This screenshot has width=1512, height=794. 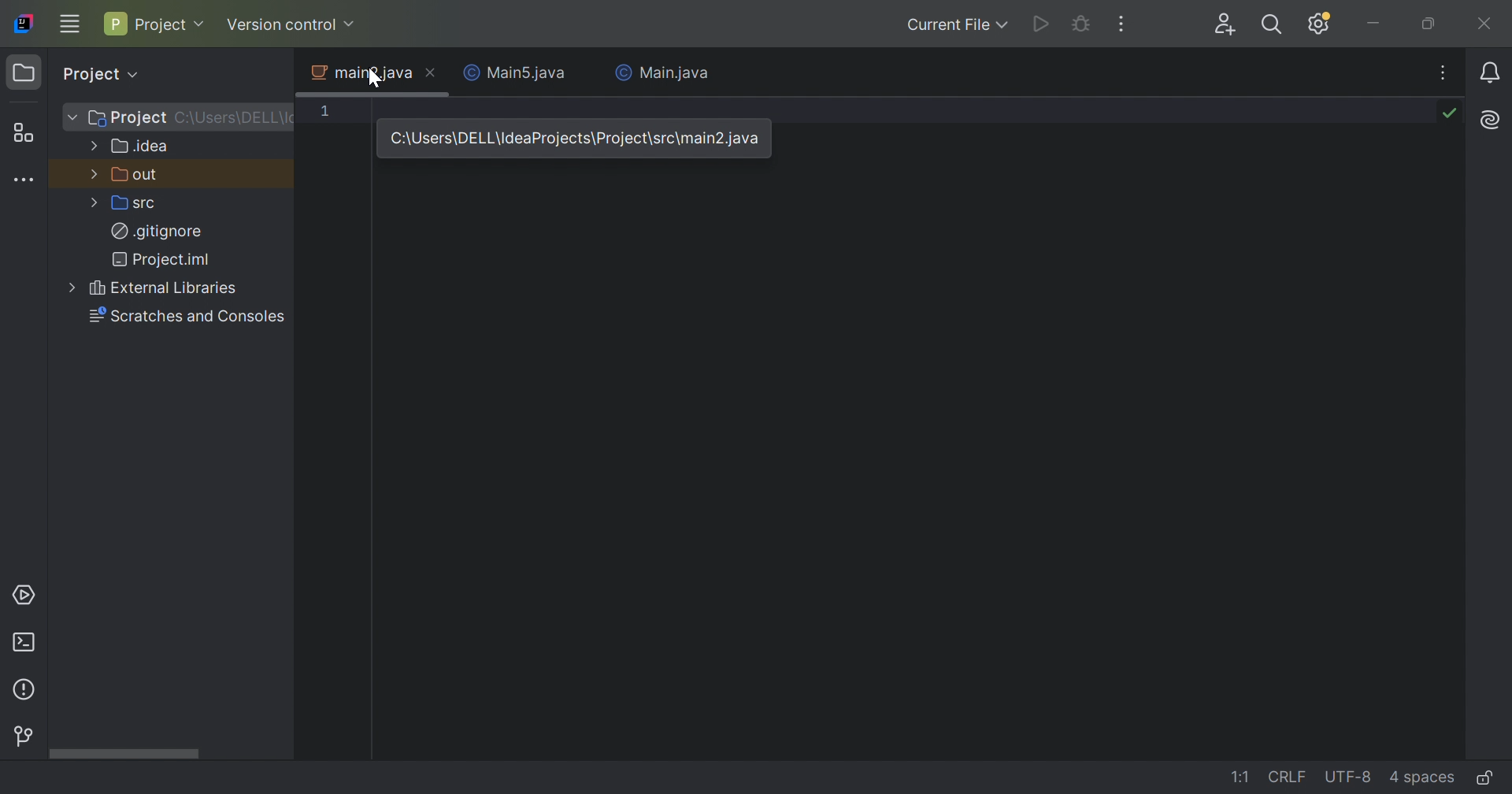 What do you see at coordinates (662, 72) in the screenshot?
I see `Main.java` at bounding box center [662, 72].